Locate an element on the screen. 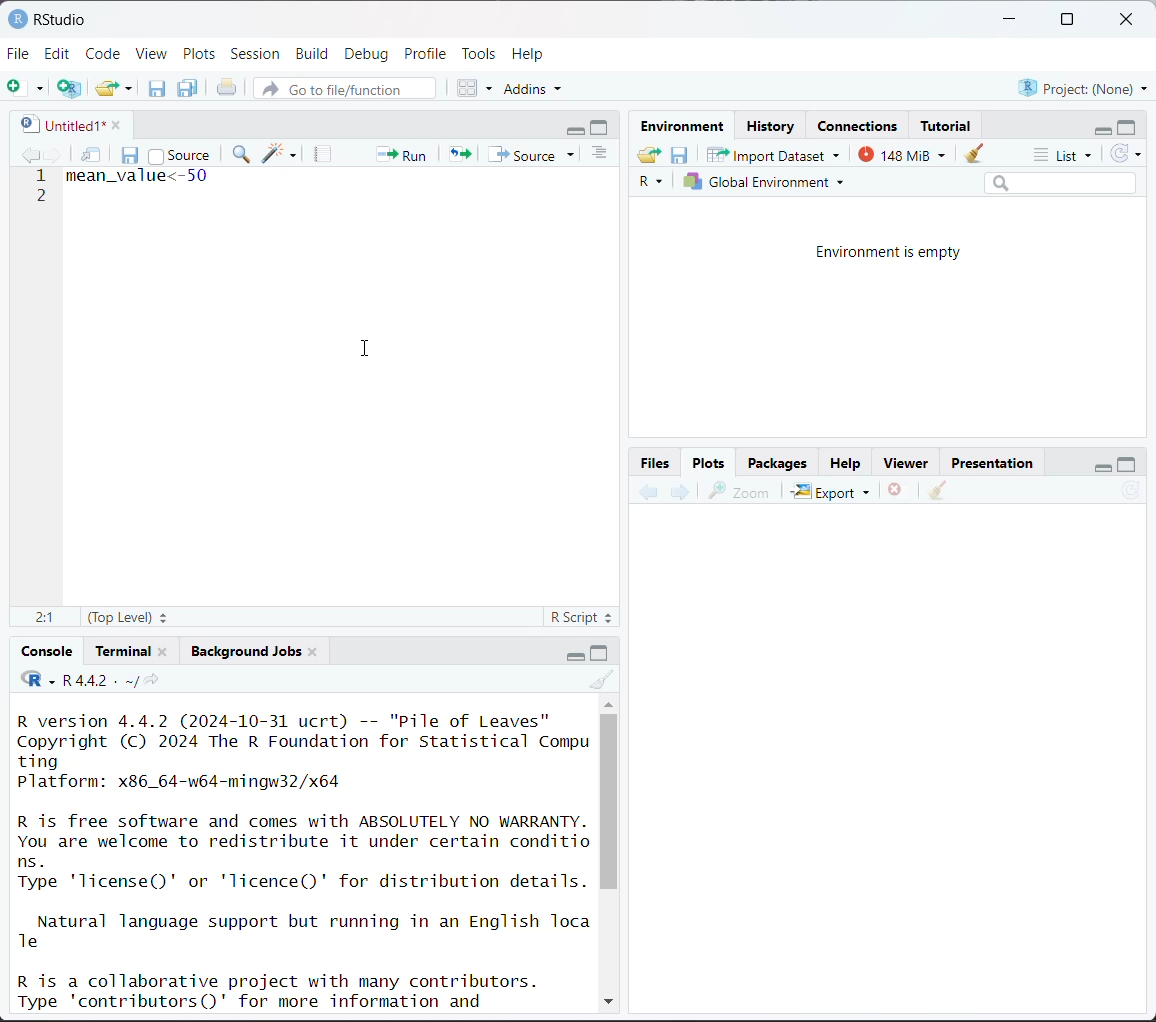  Viewer is located at coordinates (910, 464).